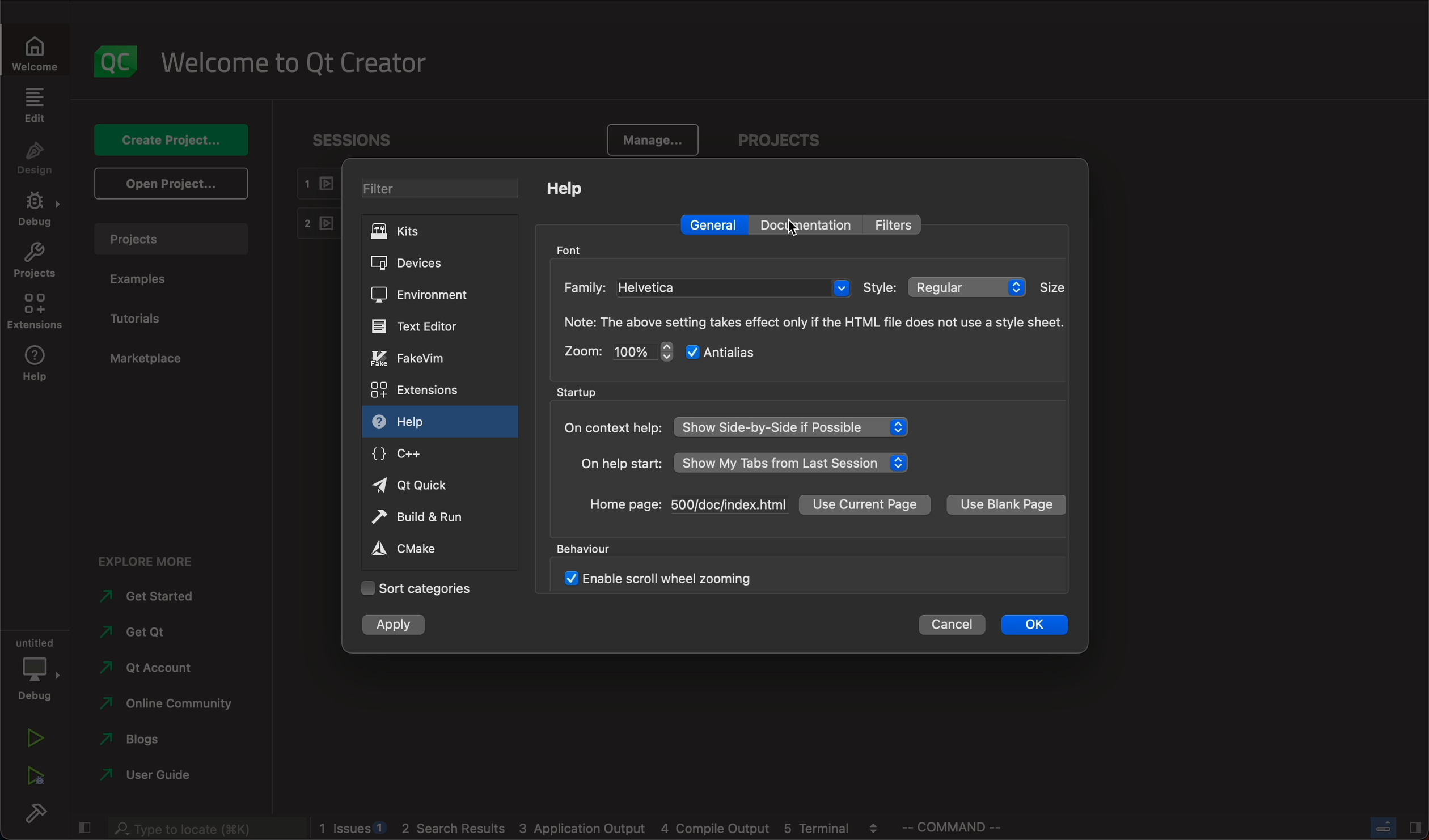  I want to click on startup, so click(594, 391).